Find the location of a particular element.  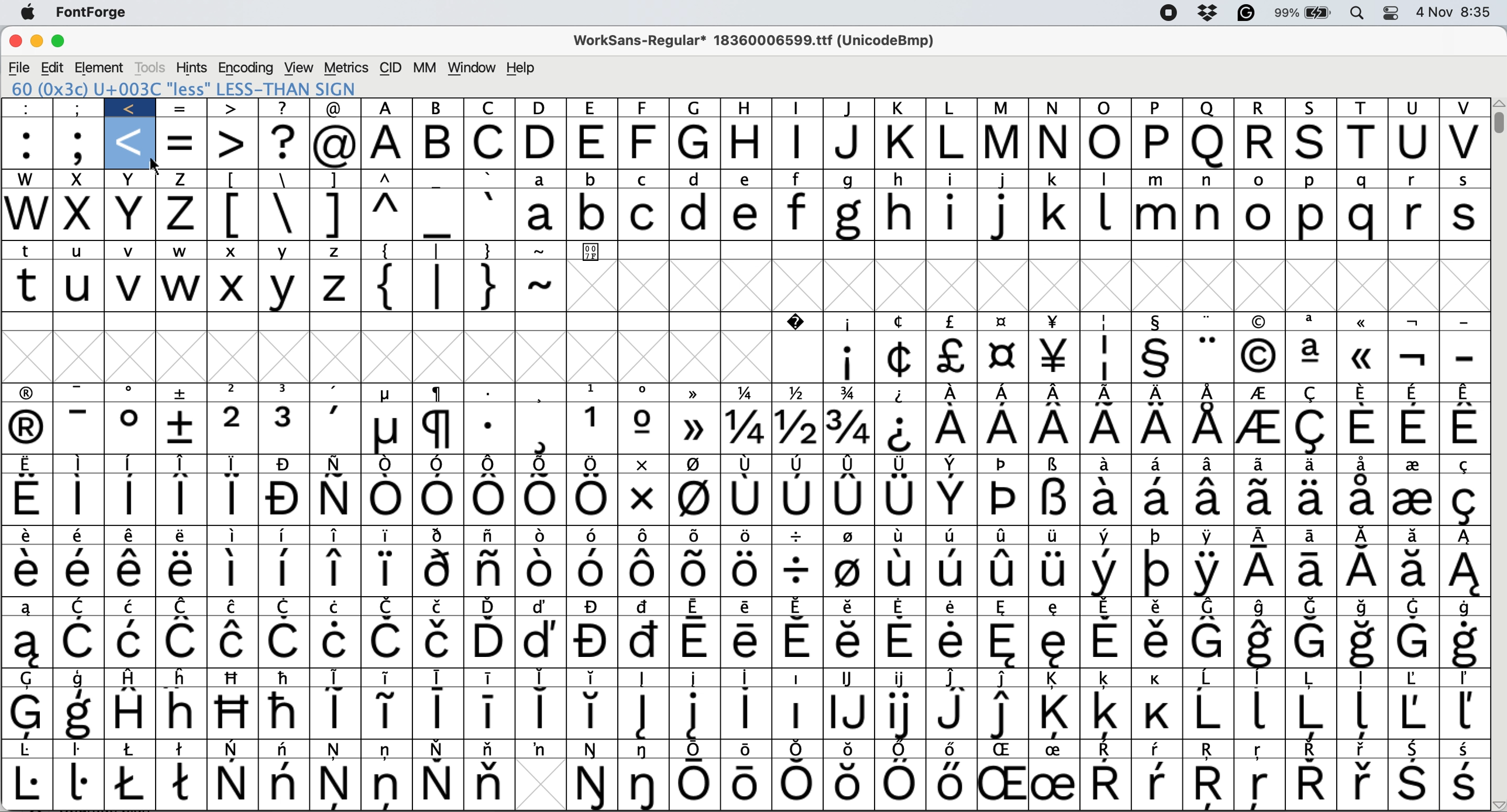

Symbol is located at coordinates (955, 391).